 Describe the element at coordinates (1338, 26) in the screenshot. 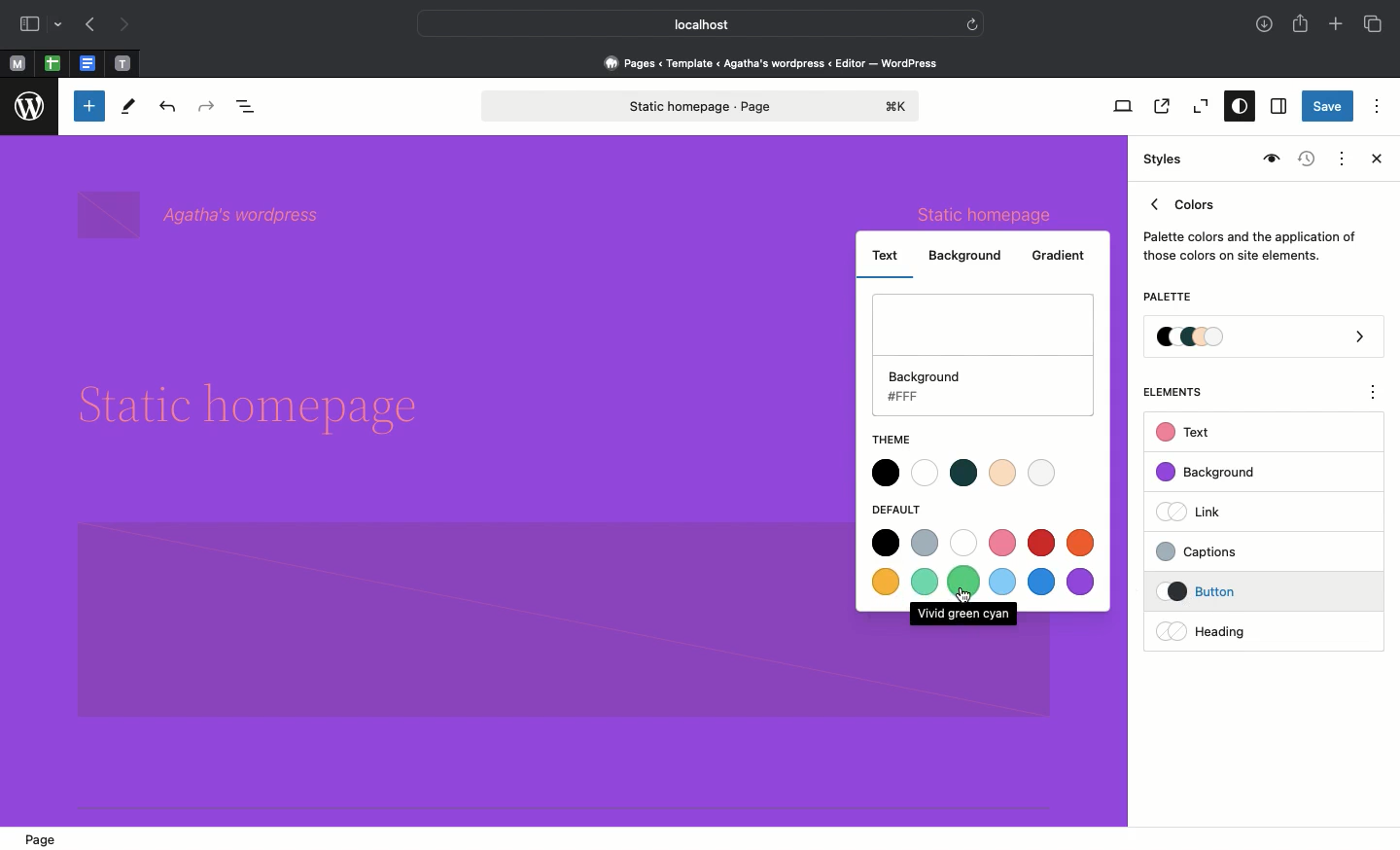

I see `Add new tab` at that location.